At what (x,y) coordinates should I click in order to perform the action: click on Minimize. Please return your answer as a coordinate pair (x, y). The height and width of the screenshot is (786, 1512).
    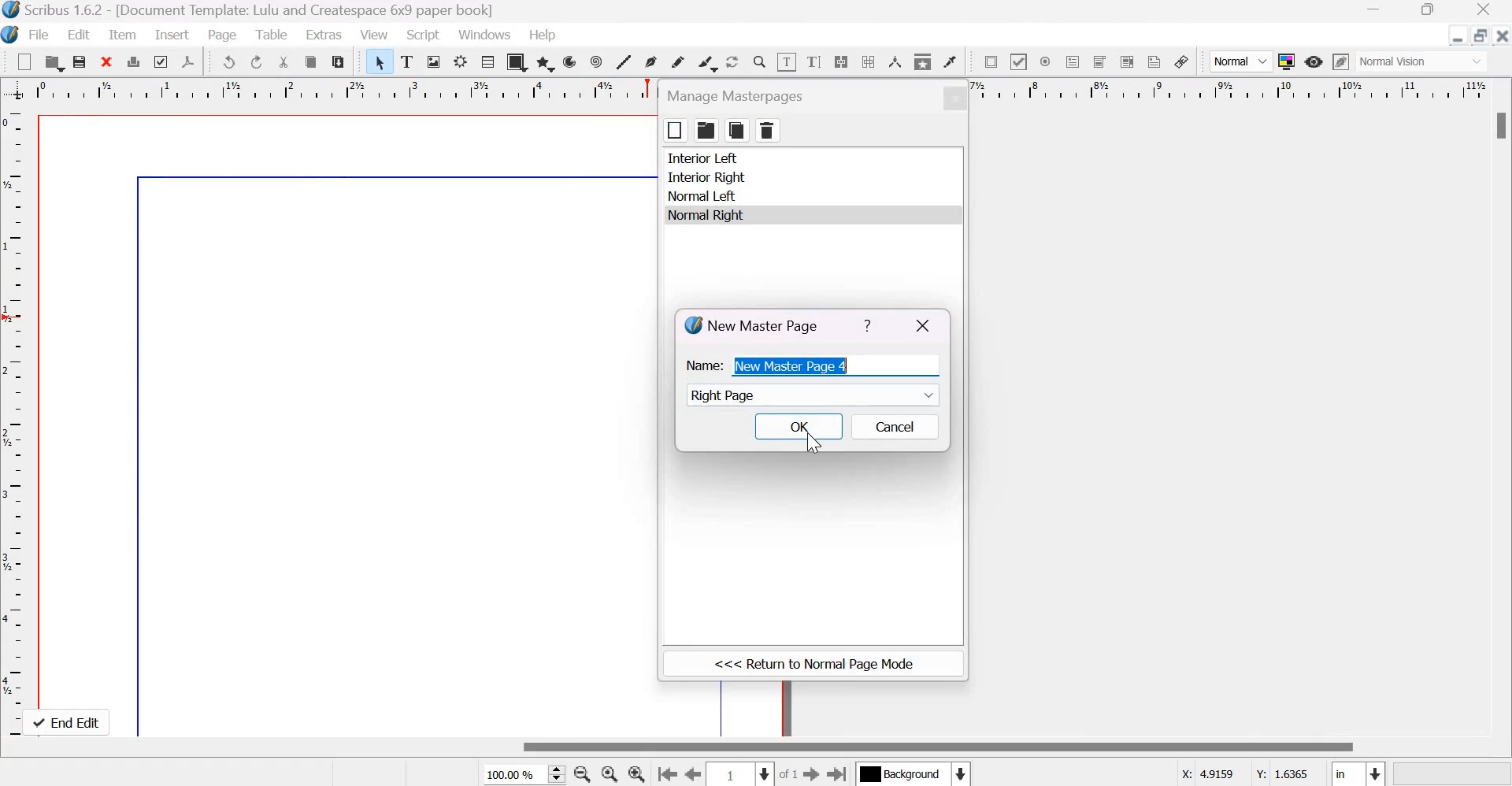
    Looking at the image, I should click on (1372, 9).